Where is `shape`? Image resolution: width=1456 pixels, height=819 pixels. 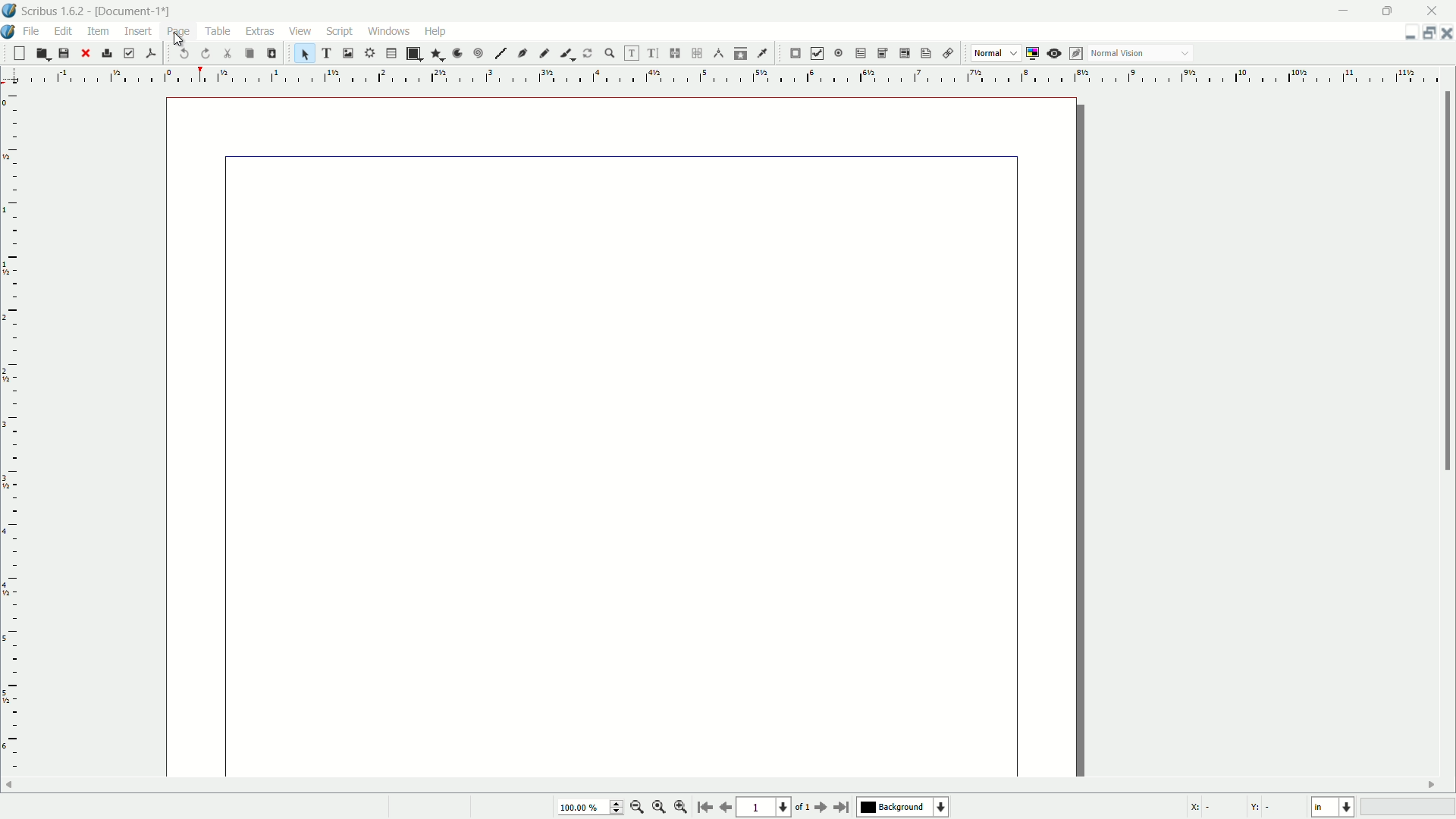 shape is located at coordinates (413, 54).